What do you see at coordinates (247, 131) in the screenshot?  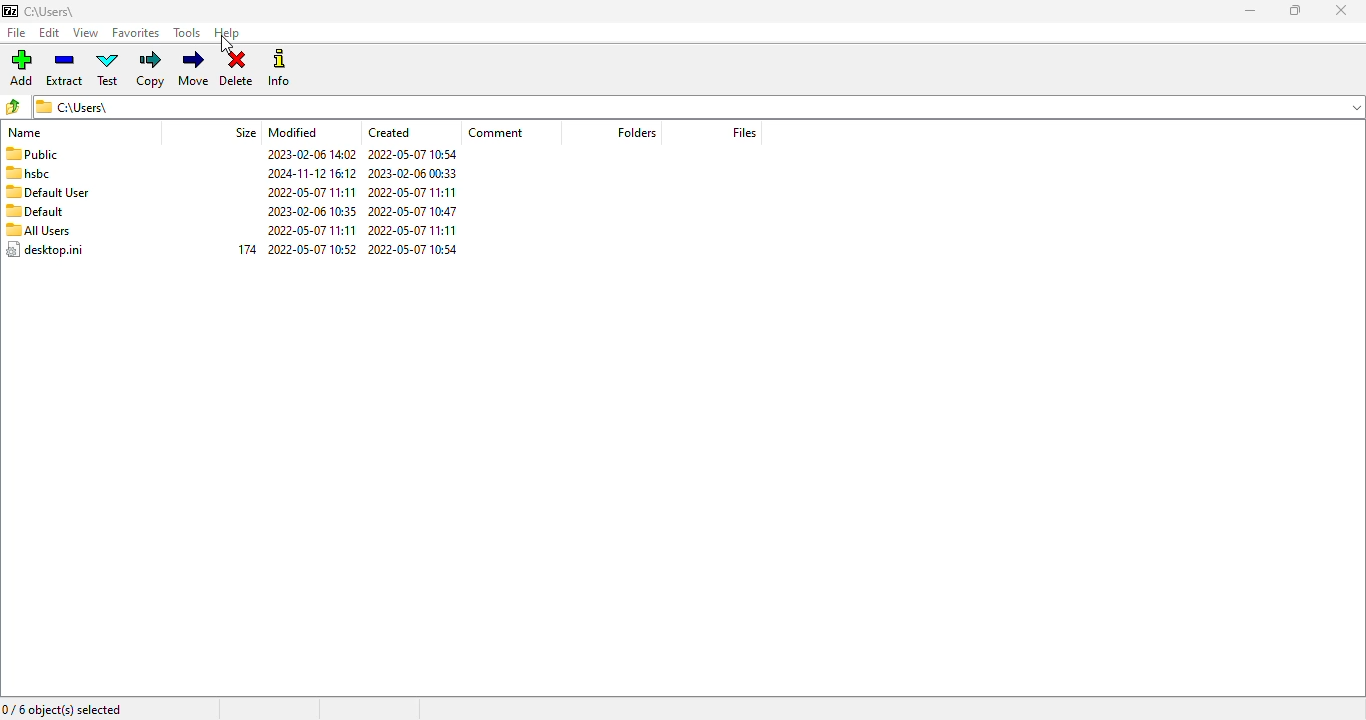 I see `size` at bounding box center [247, 131].